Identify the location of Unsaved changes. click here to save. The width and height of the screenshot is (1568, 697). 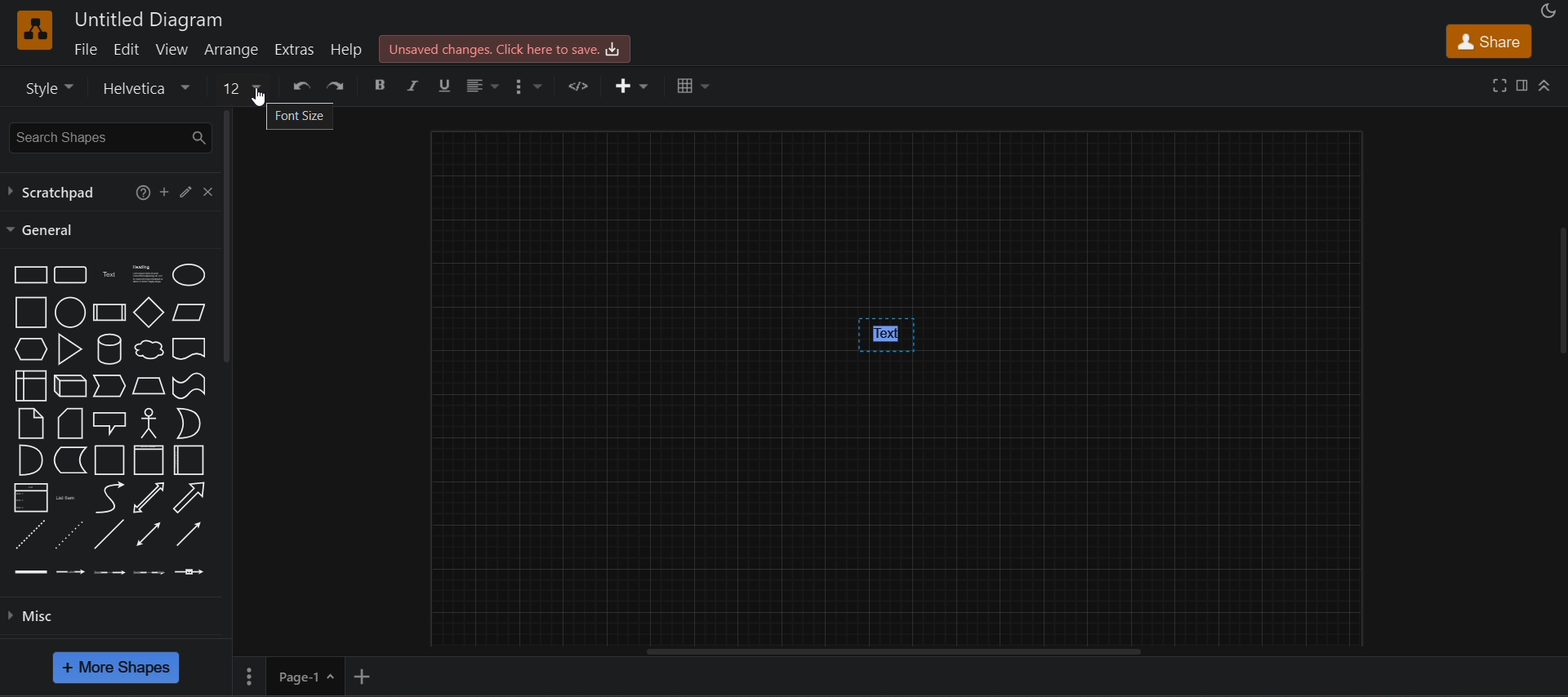
(506, 49).